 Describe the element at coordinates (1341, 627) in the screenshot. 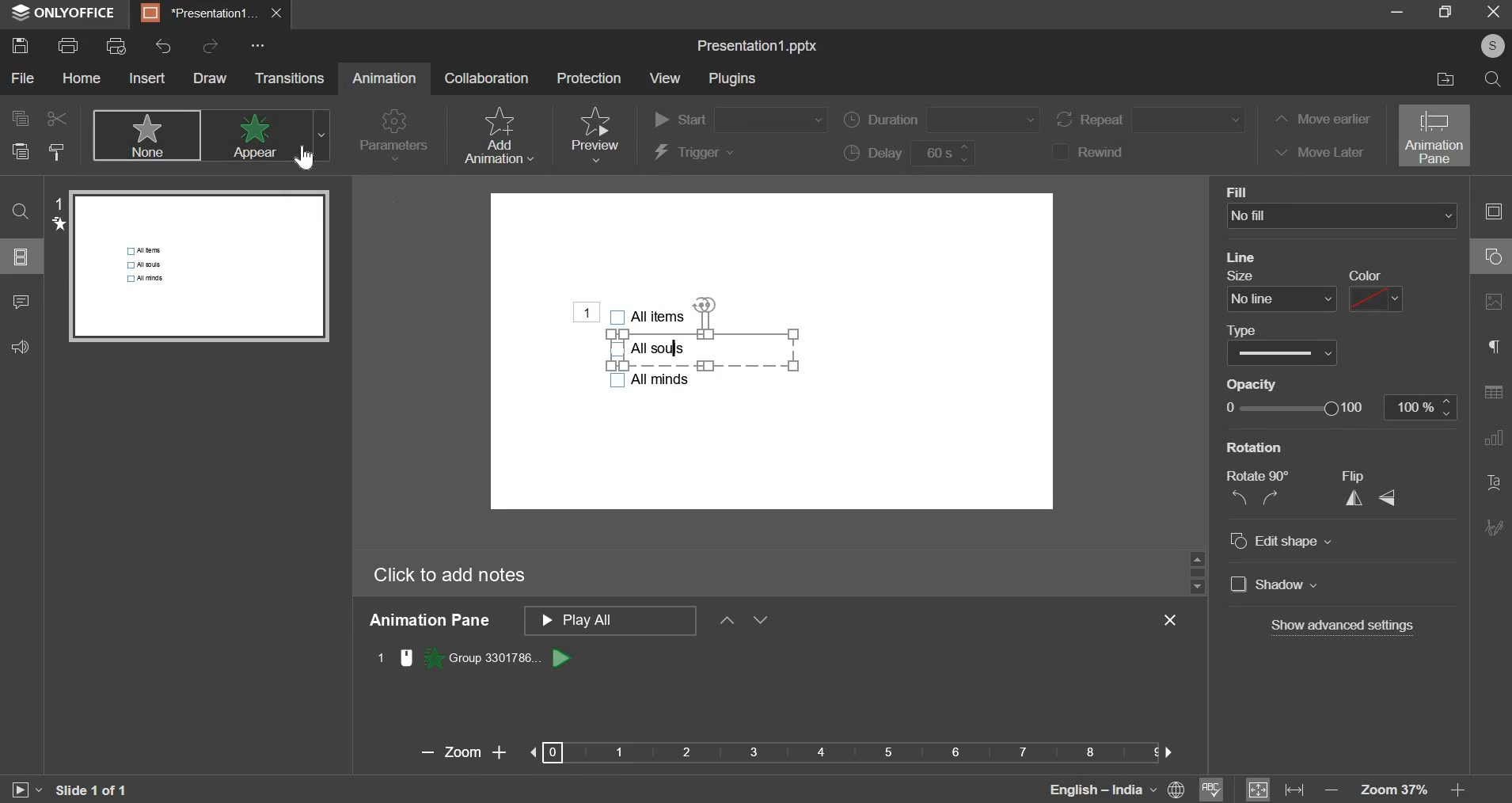

I see `Show advanced settings` at that location.